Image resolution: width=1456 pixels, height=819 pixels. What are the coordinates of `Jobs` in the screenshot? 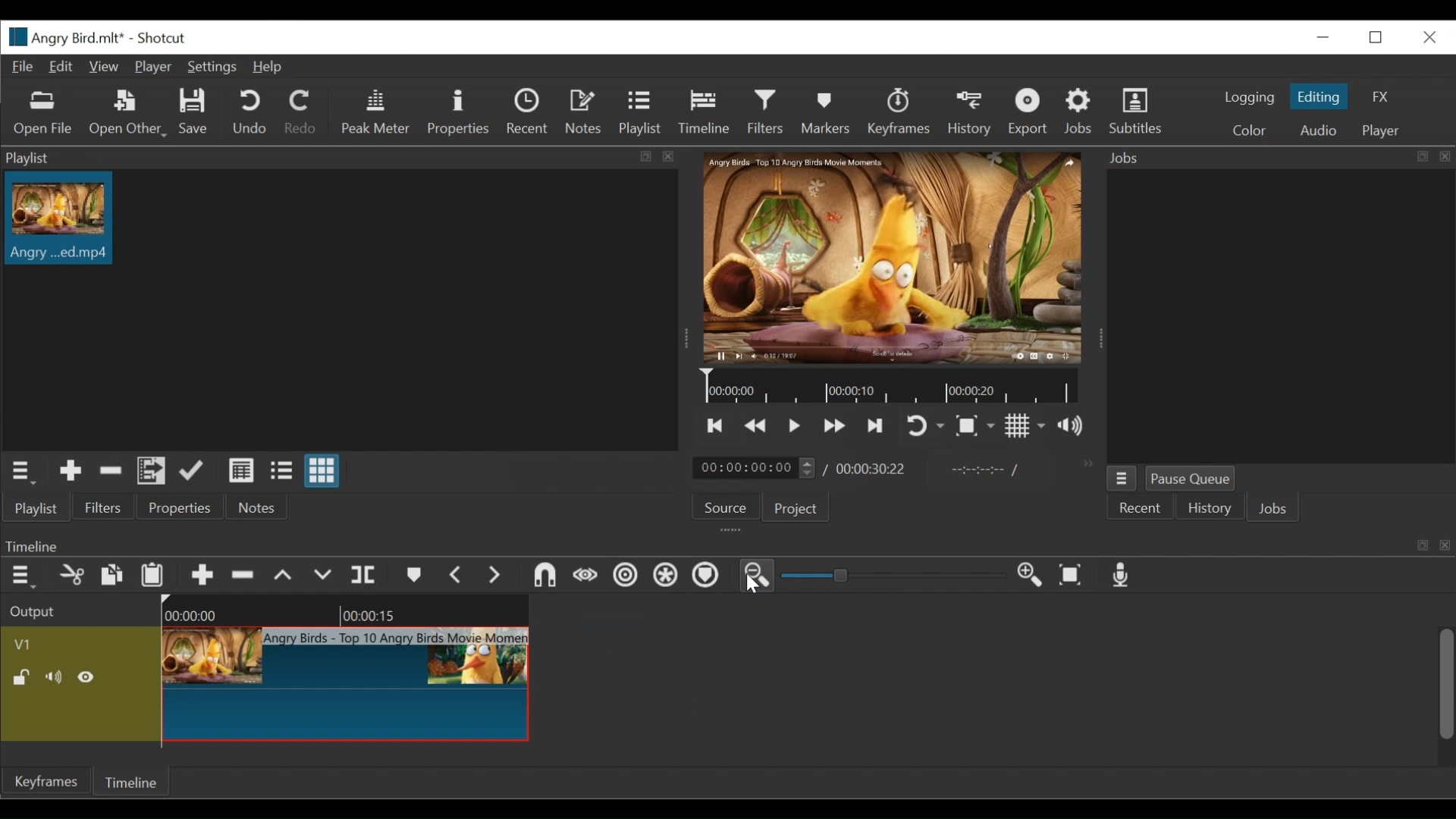 It's located at (1078, 110).